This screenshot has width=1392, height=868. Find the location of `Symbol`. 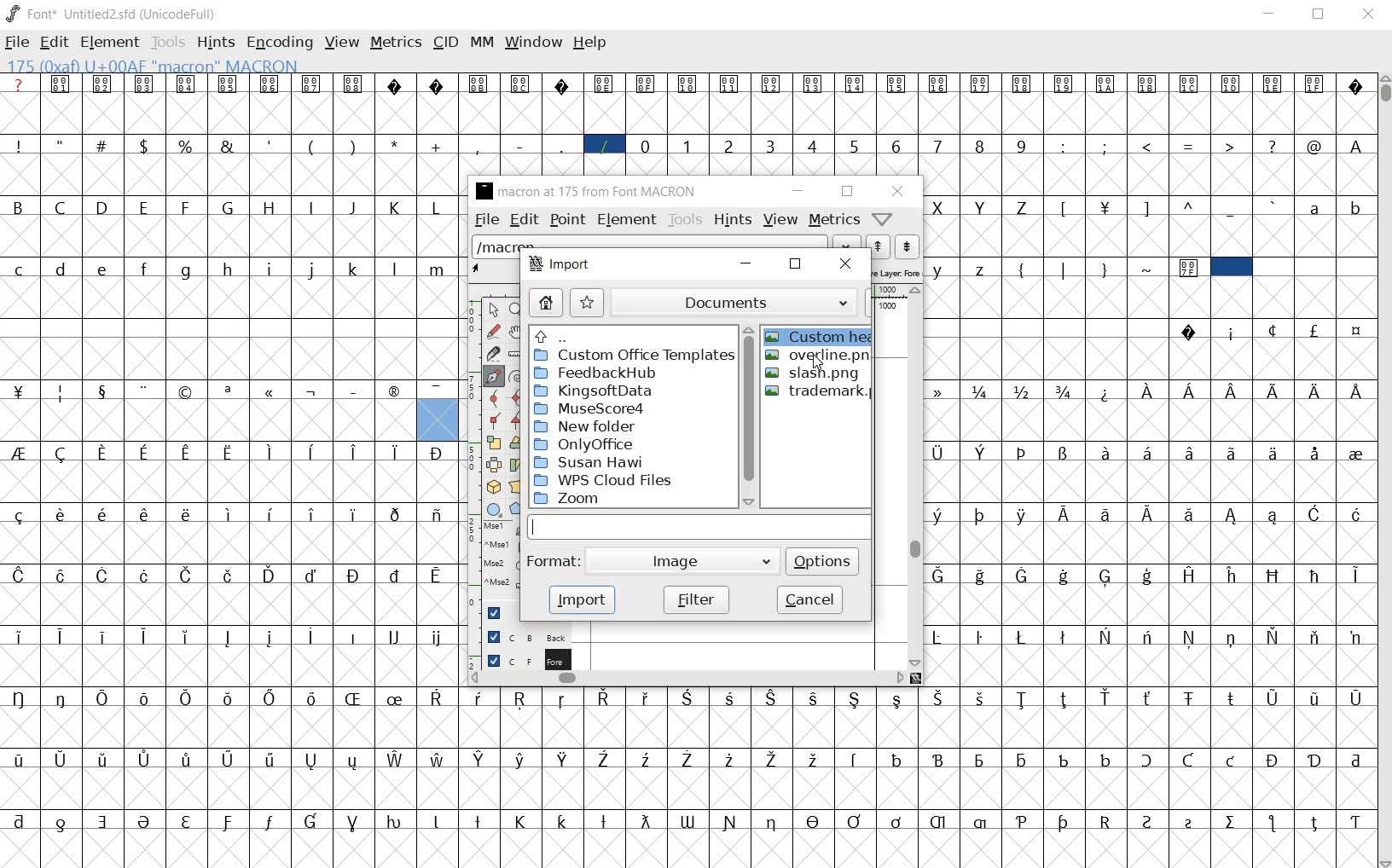

Symbol is located at coordinates (272, 575).